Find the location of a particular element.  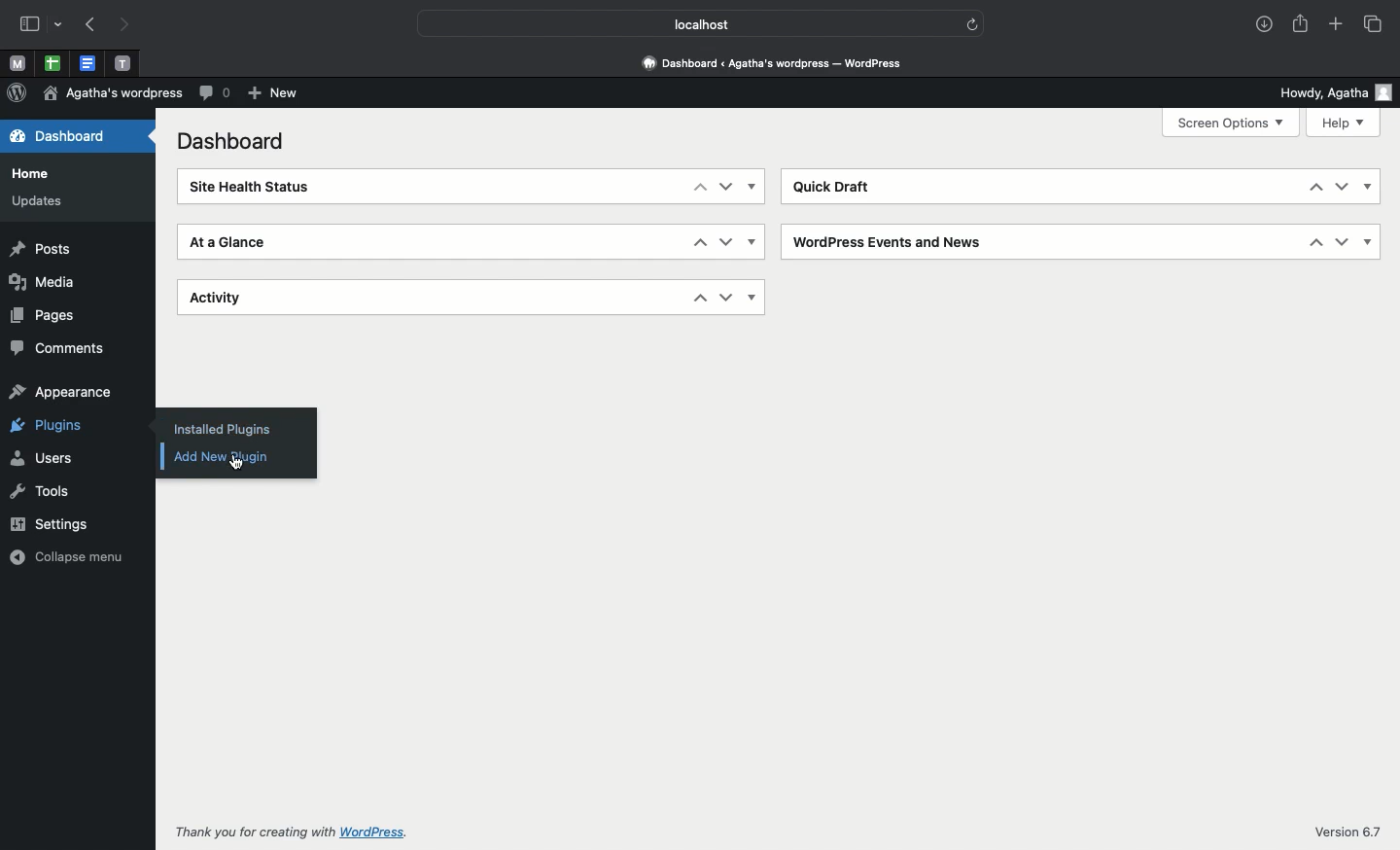

Version 6.7 is located at coordinates (1340, 831).